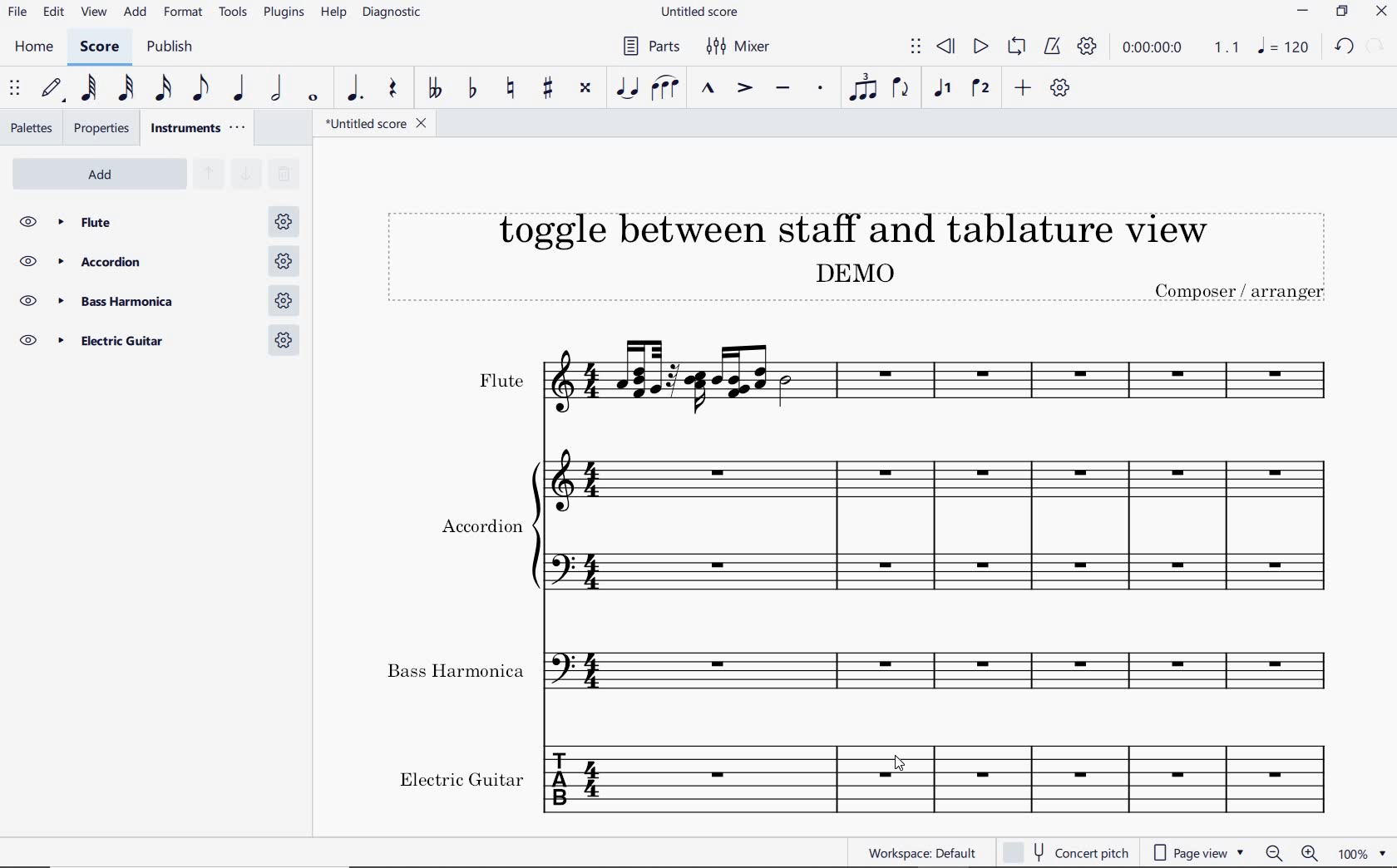 This screenshot has width=1397, height=868. I want to click on toggle double-flat, so click(436, 86).